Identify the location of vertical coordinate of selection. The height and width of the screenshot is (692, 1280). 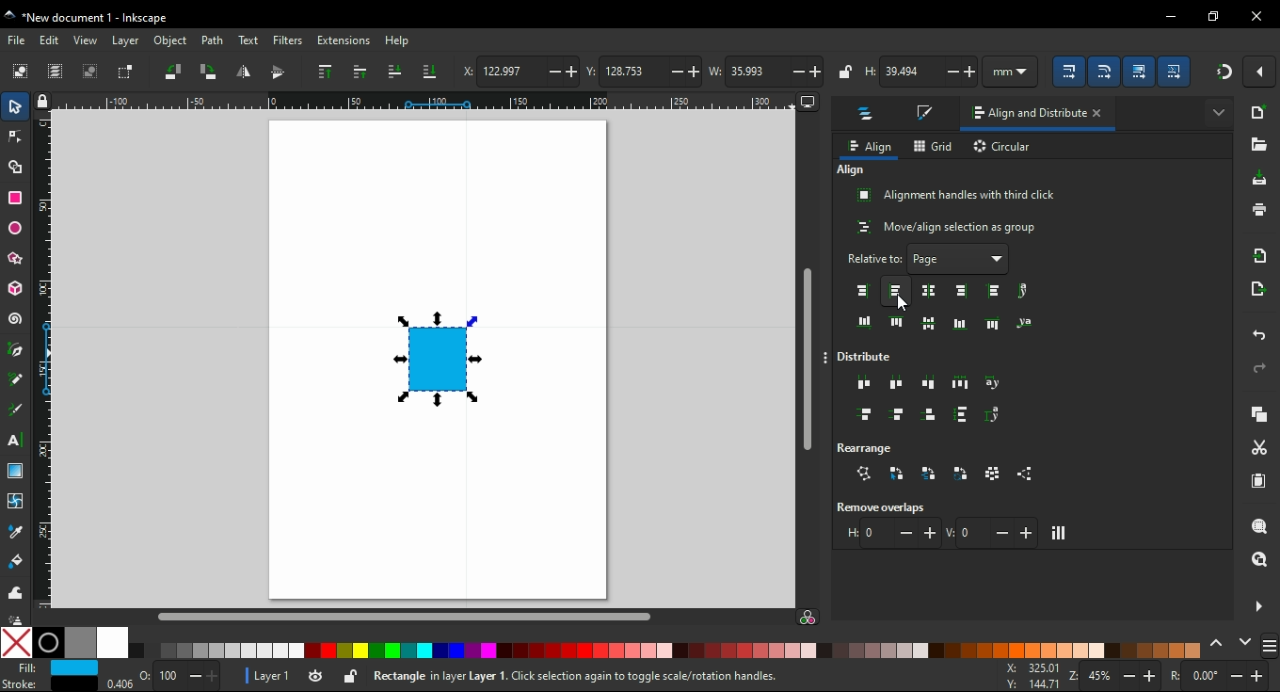
(642, 69).